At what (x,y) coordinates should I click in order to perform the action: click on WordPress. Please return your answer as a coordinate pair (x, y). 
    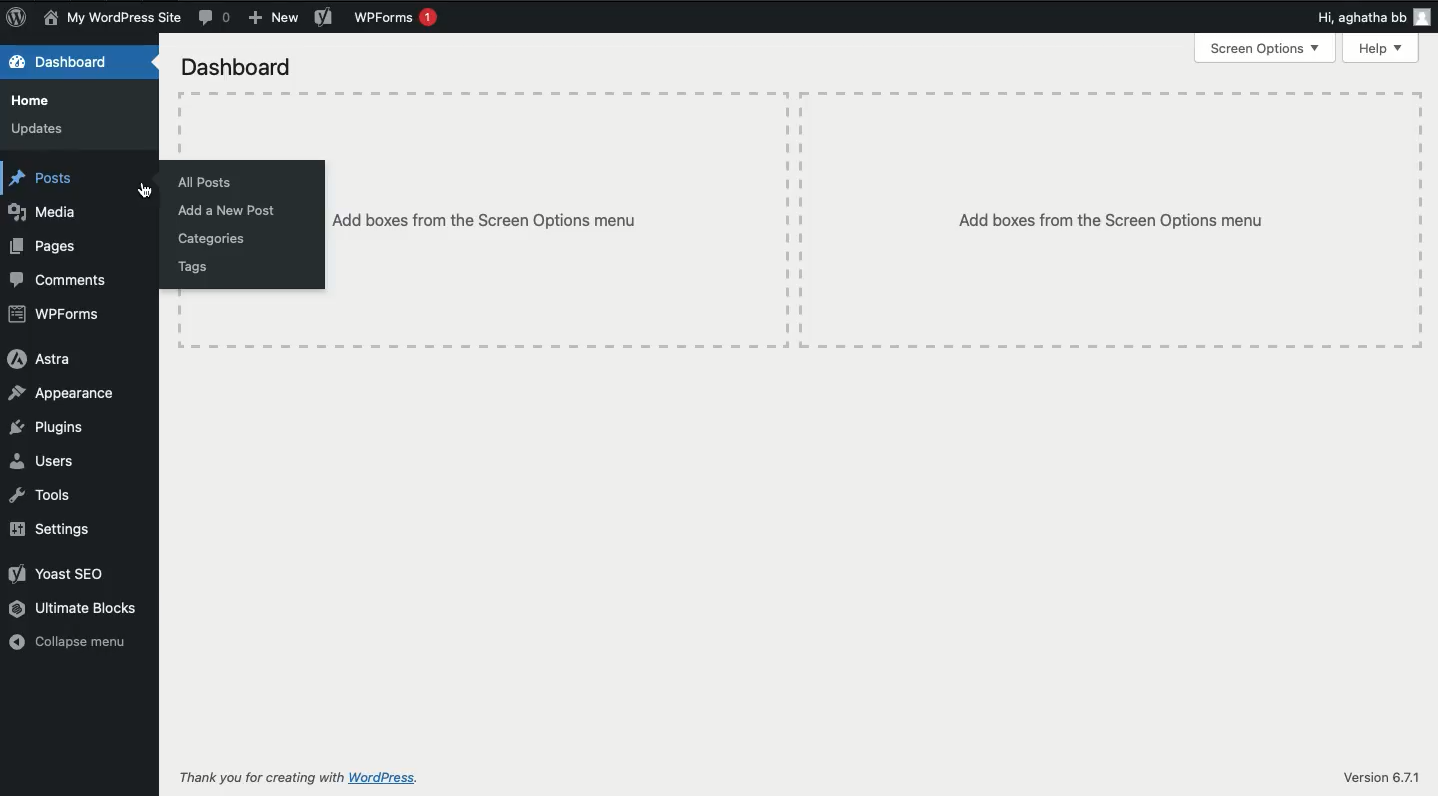
    Looking at the image, I should click on (386, 778).